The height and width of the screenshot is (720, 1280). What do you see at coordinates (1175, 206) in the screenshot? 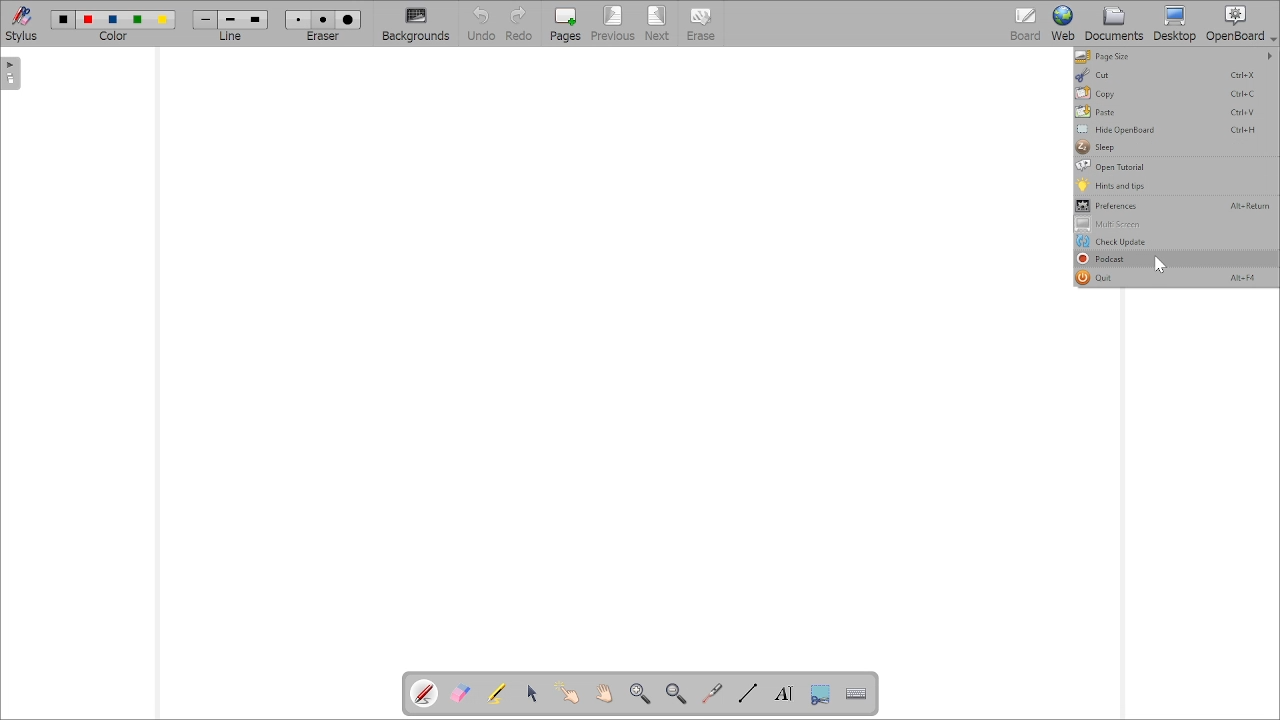
I see `Prfferences` at bounding box center [1175, 206].